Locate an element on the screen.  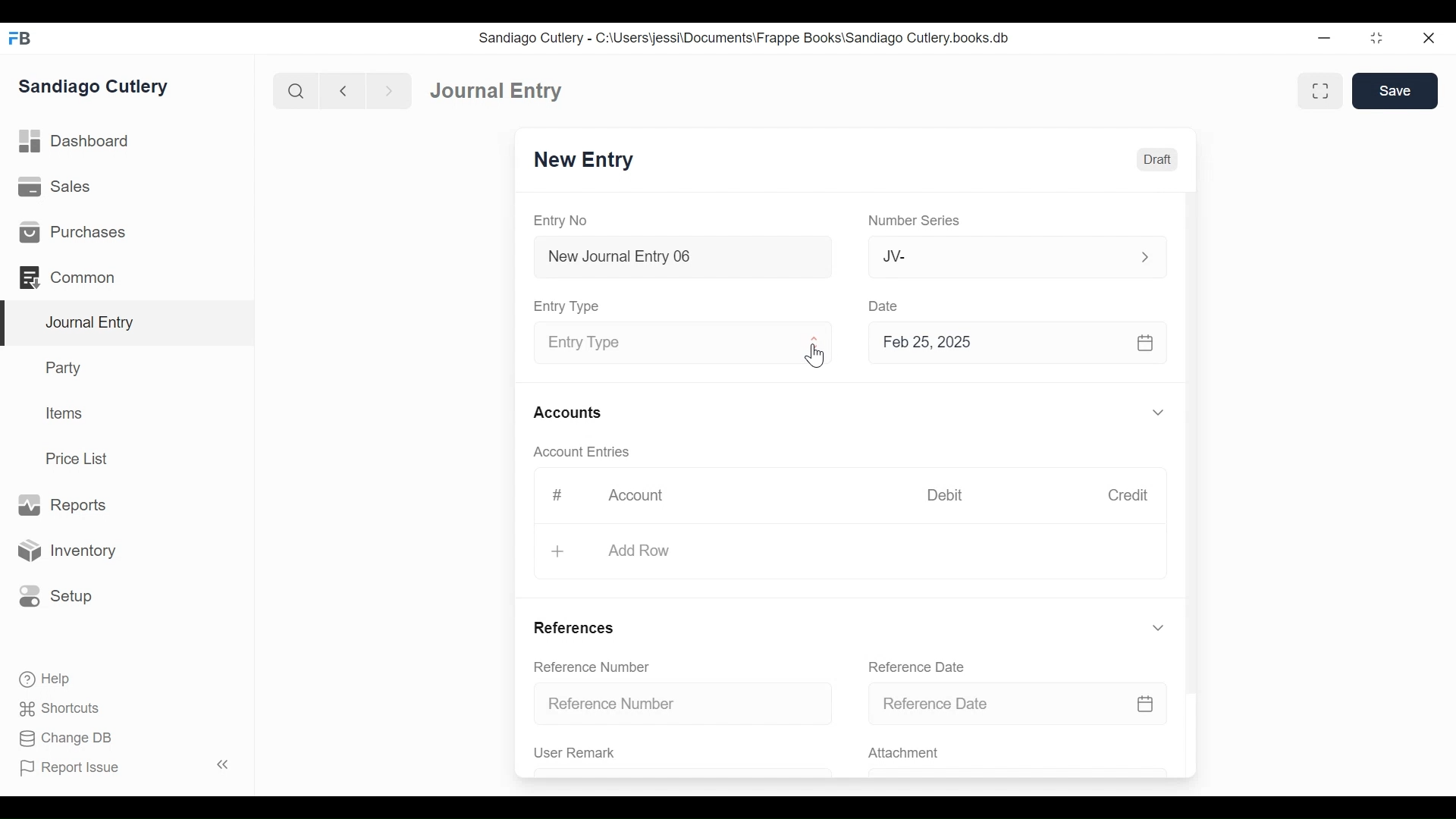
Navigate Forward is located at coordinates (390, 92).